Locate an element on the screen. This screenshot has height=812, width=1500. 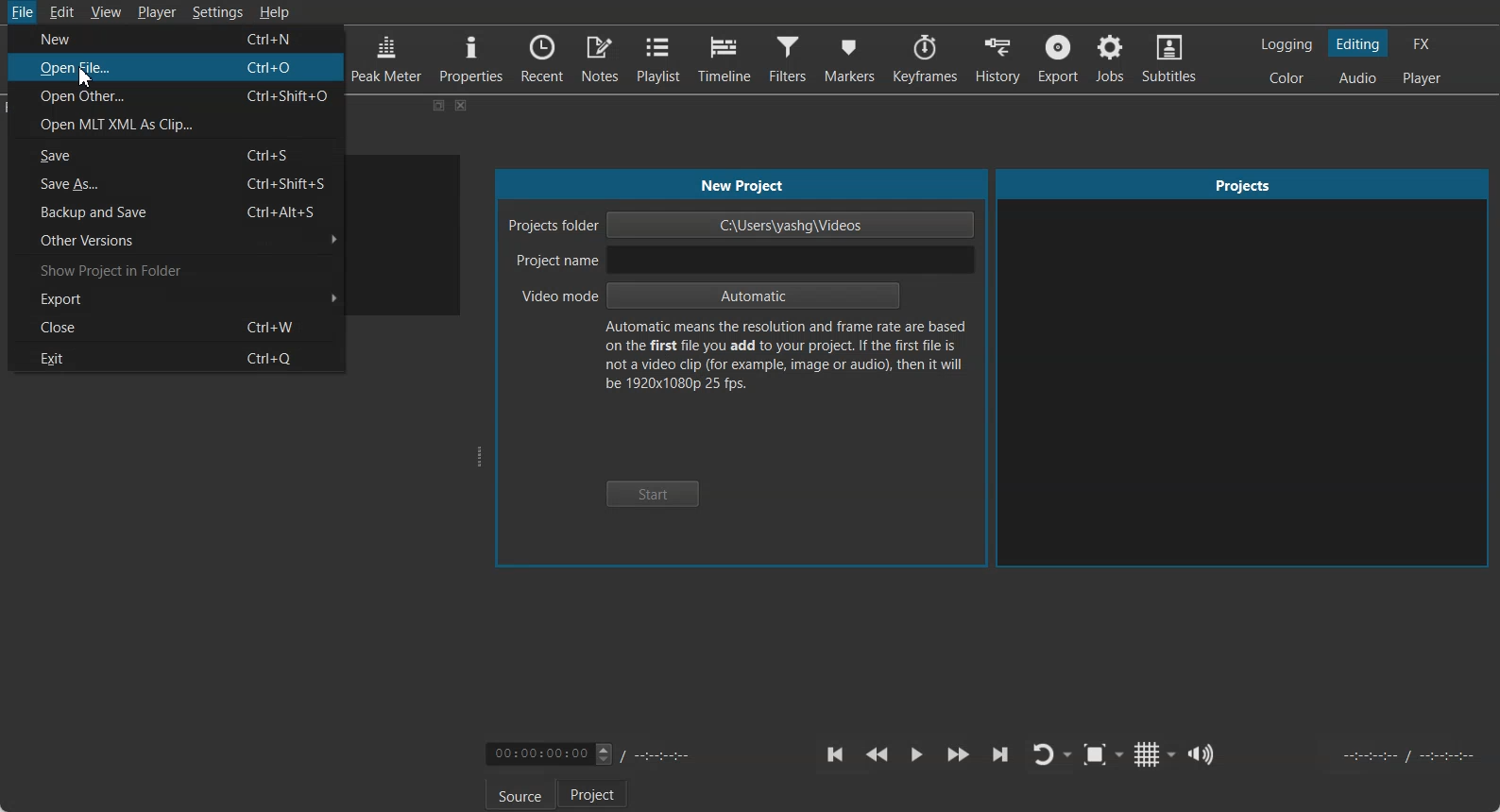
Other Versions is located at coordinates (175, 239).